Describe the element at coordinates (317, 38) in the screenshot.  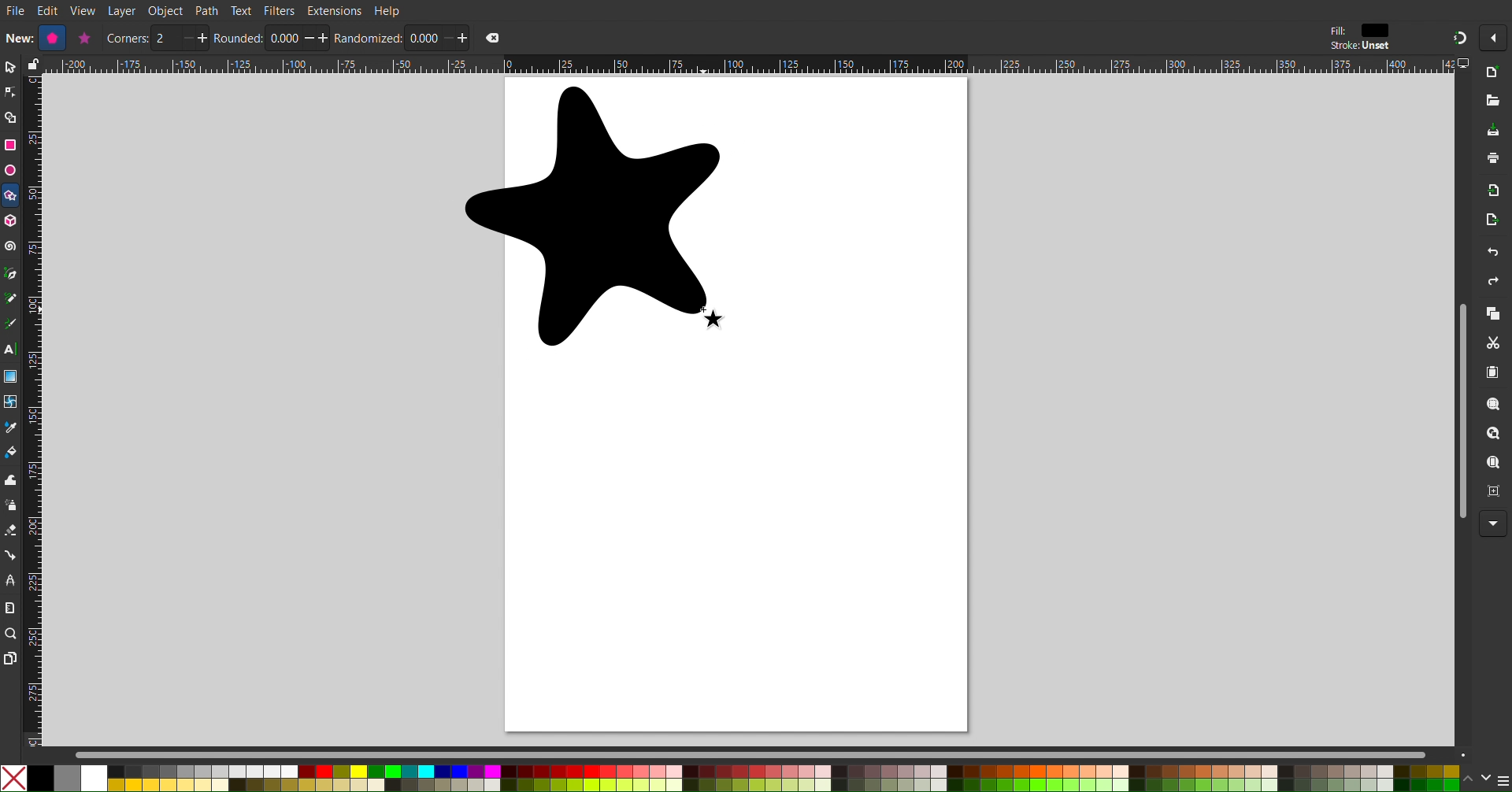
I see `increase/decrease` at that location.